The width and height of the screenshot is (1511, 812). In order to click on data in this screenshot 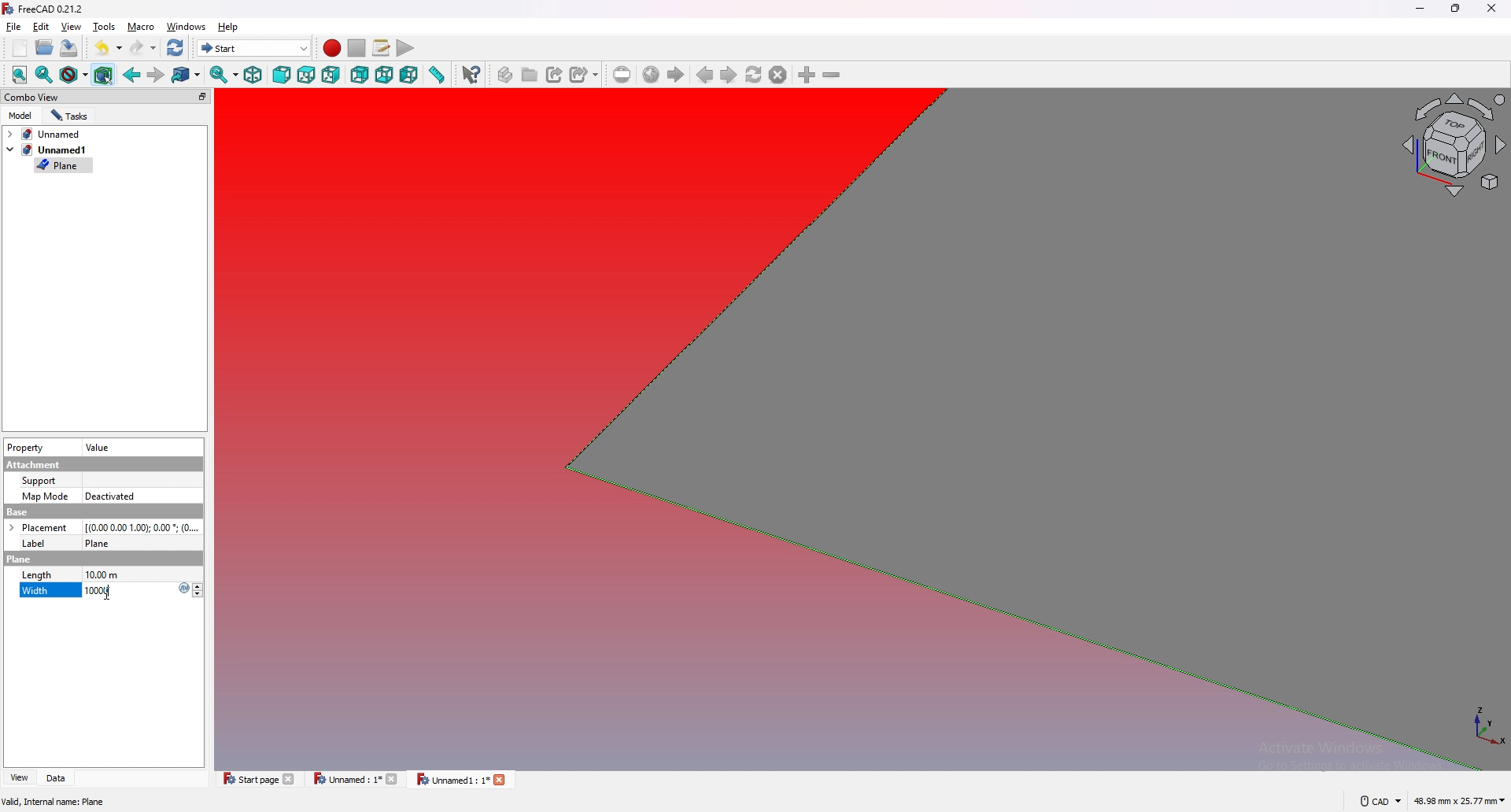, I will do `click(59, 778)`.